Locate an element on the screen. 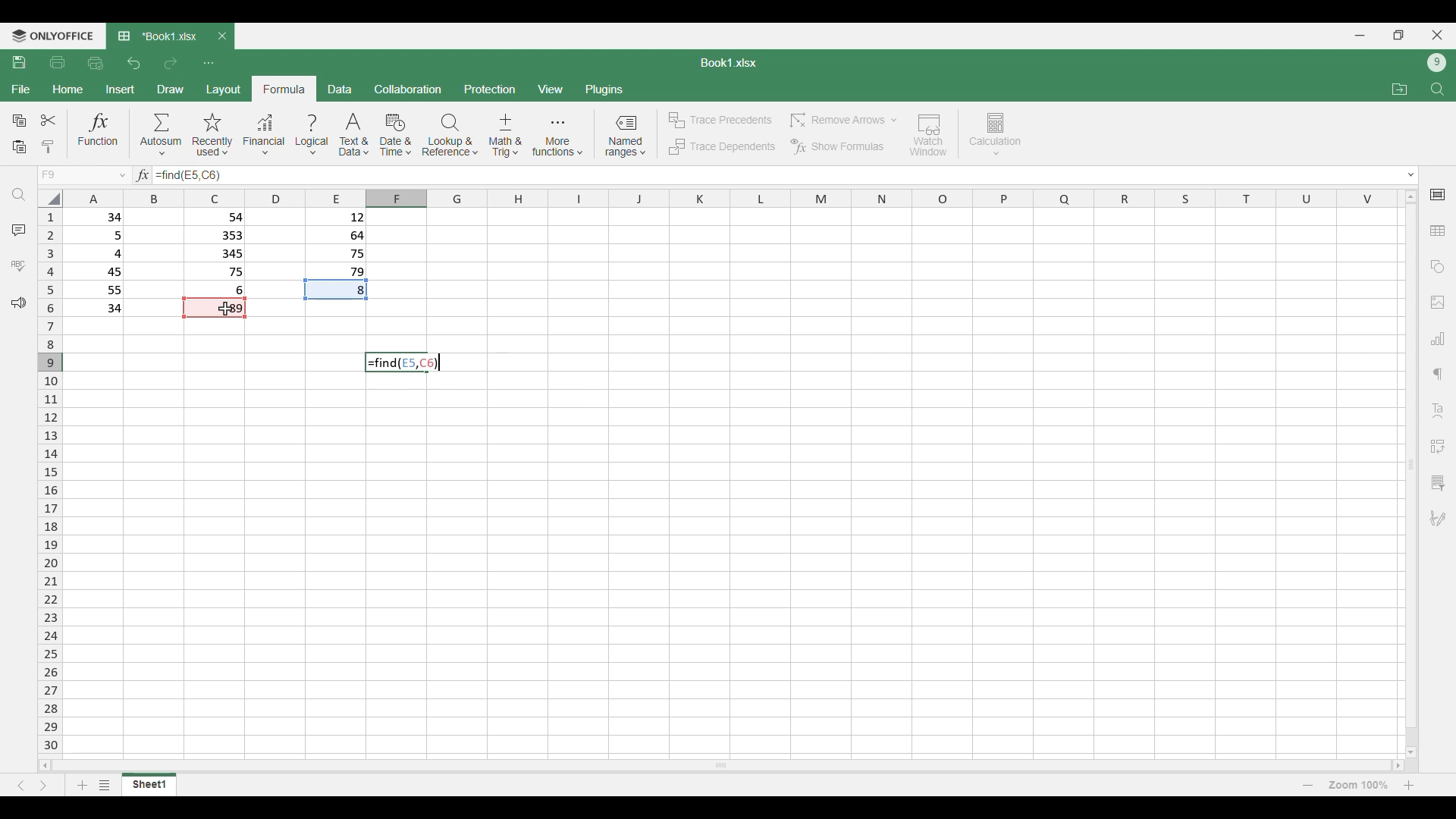  Logical is located at coordinates (312, 135).